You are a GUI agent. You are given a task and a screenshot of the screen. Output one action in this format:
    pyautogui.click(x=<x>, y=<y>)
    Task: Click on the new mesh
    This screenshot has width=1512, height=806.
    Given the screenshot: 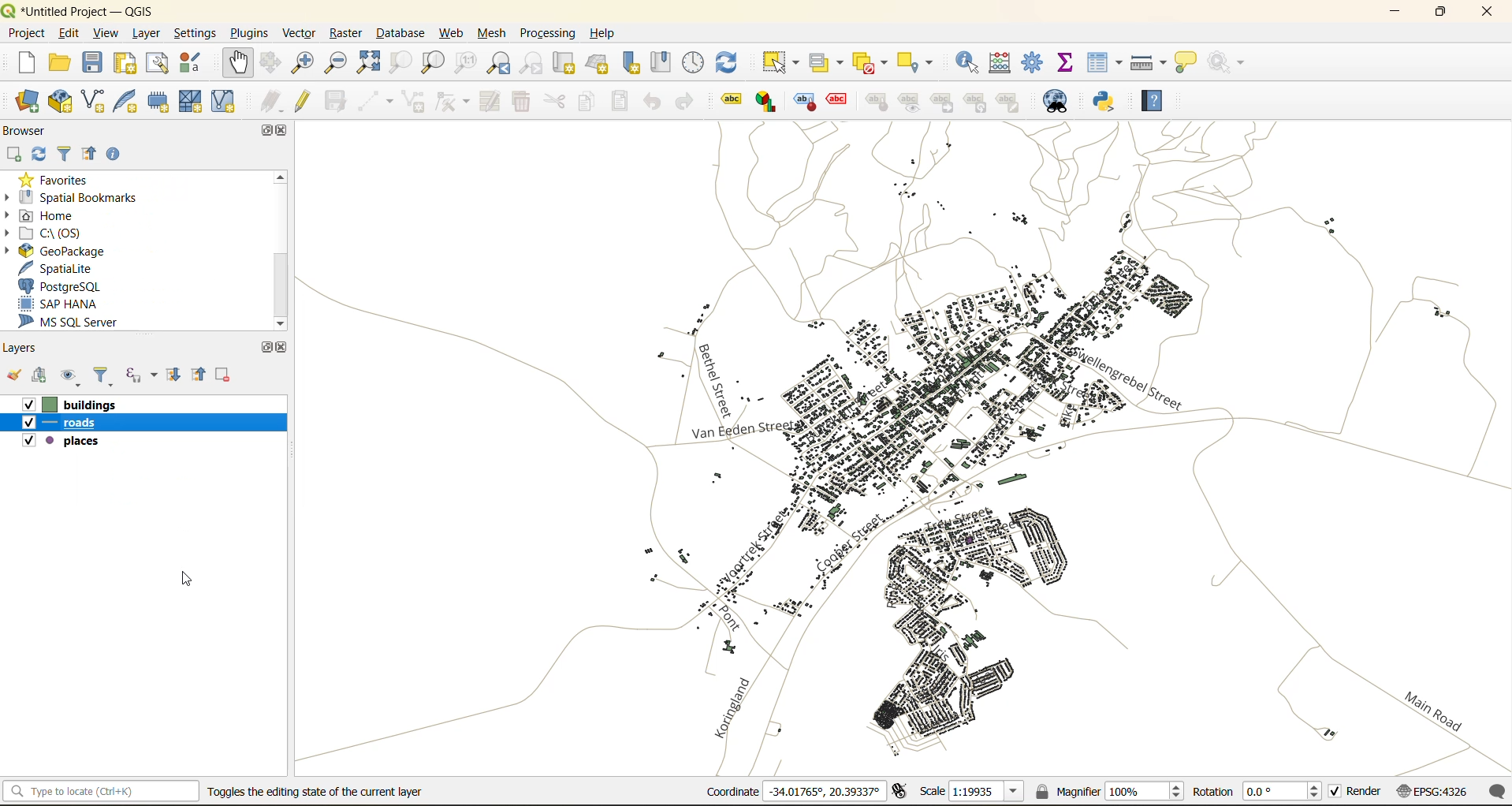 What is the action you would take?
    pyautogui.click(x=193, y=102)
    